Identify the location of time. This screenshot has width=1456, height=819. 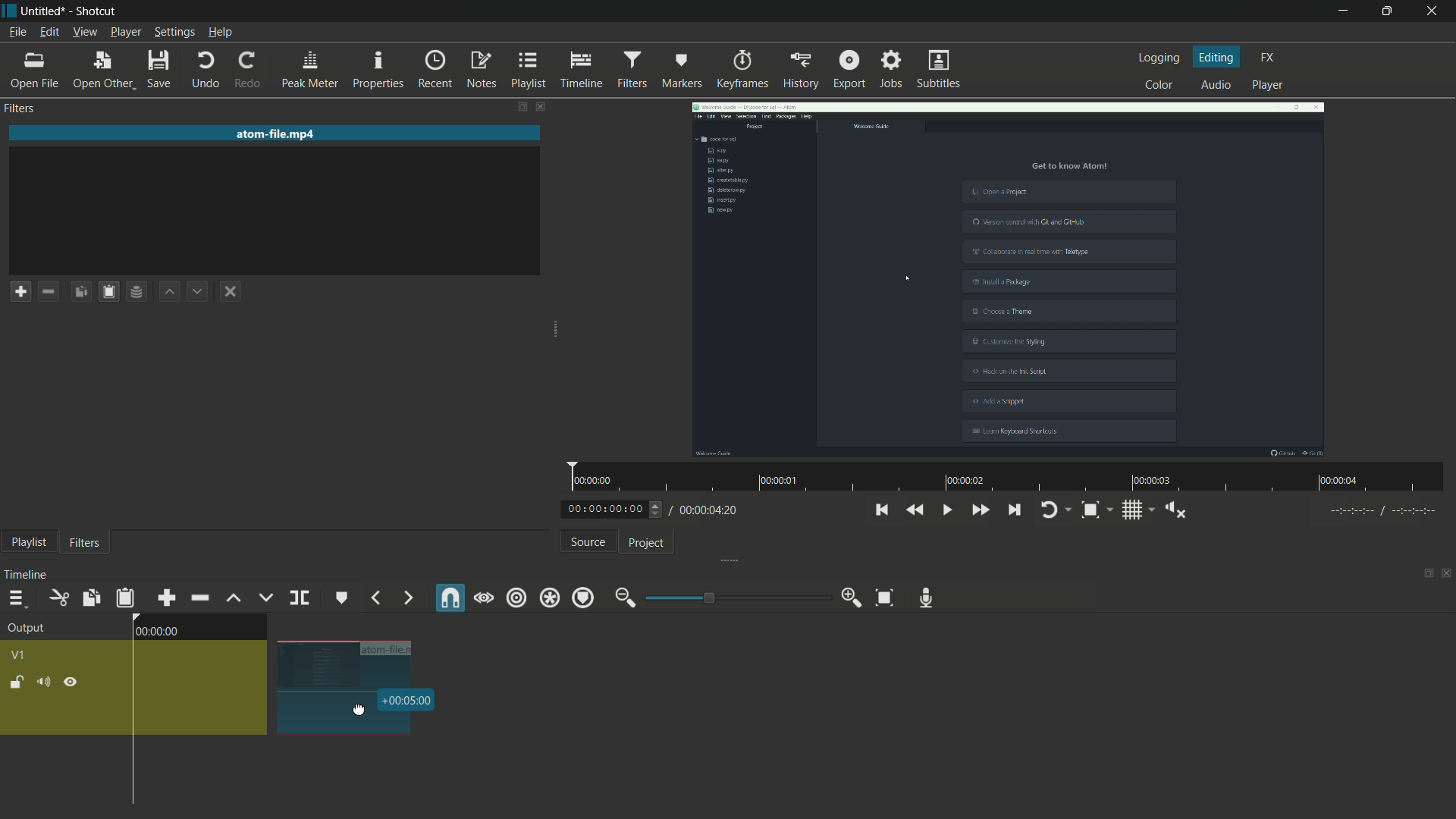
(409, 700).